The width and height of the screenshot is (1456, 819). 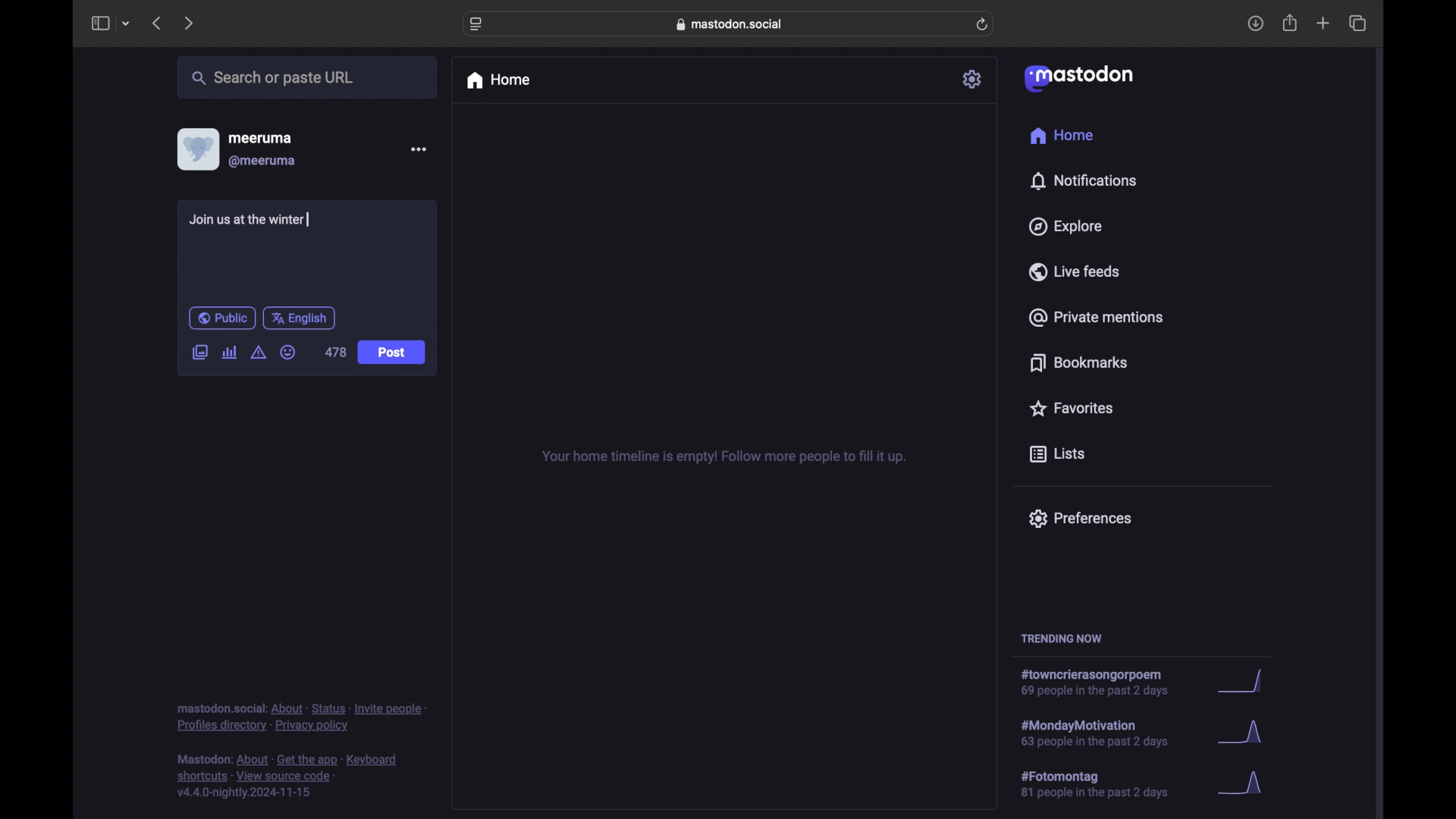 I want to click on share, so click(x=1291, y=24).